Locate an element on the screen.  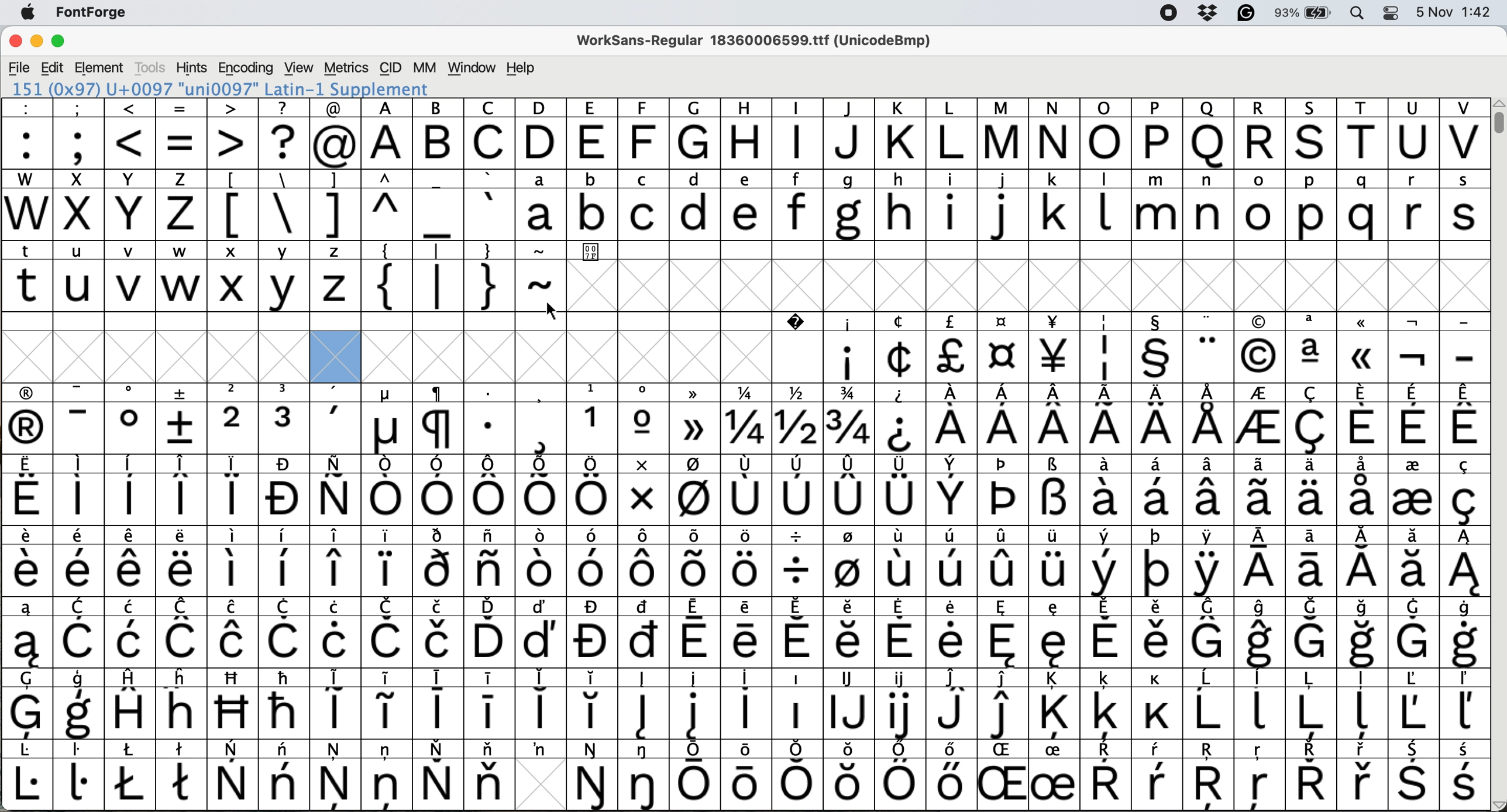
symbol is located at coordinates (593, 633).